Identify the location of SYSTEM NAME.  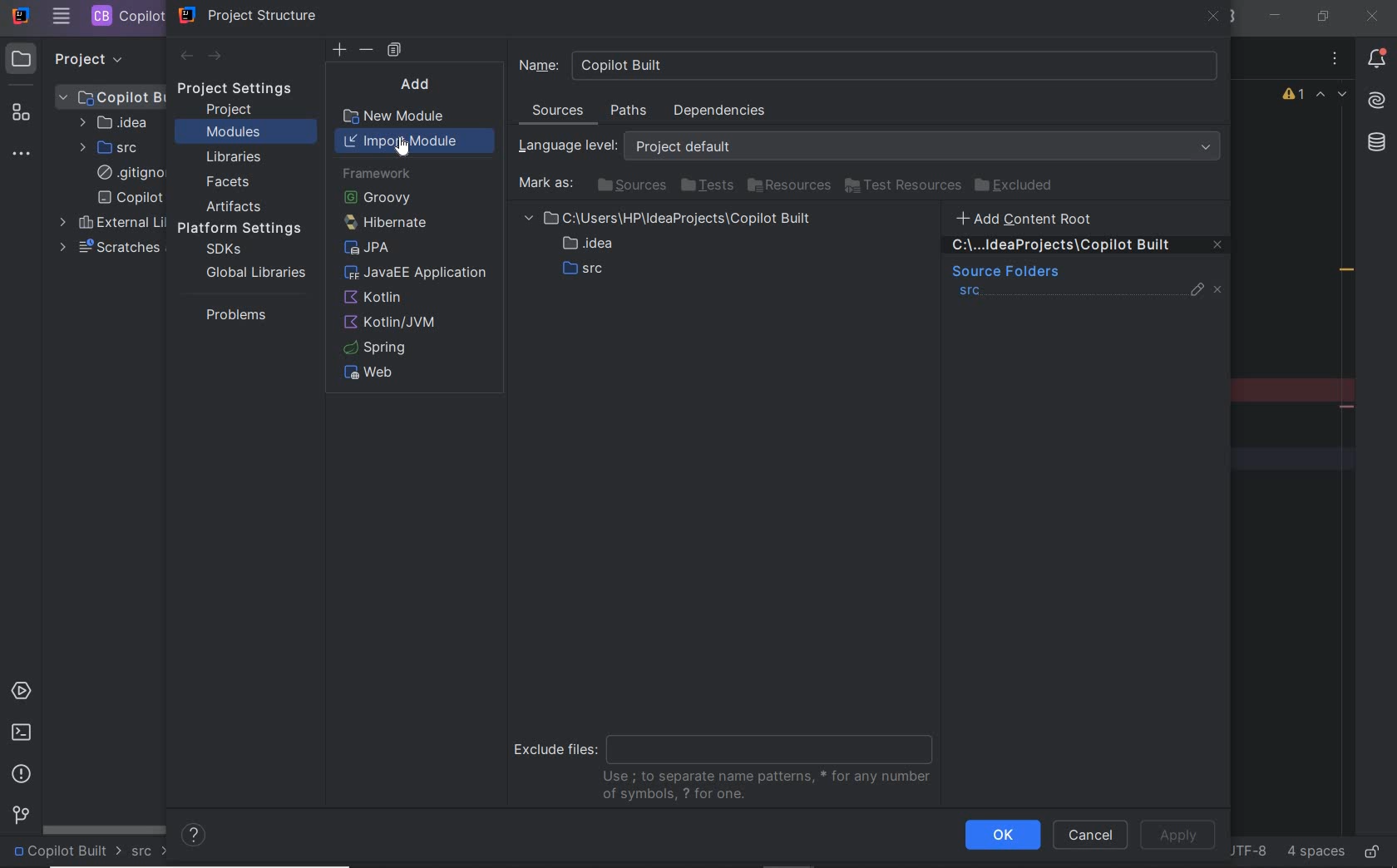
(19, 17).